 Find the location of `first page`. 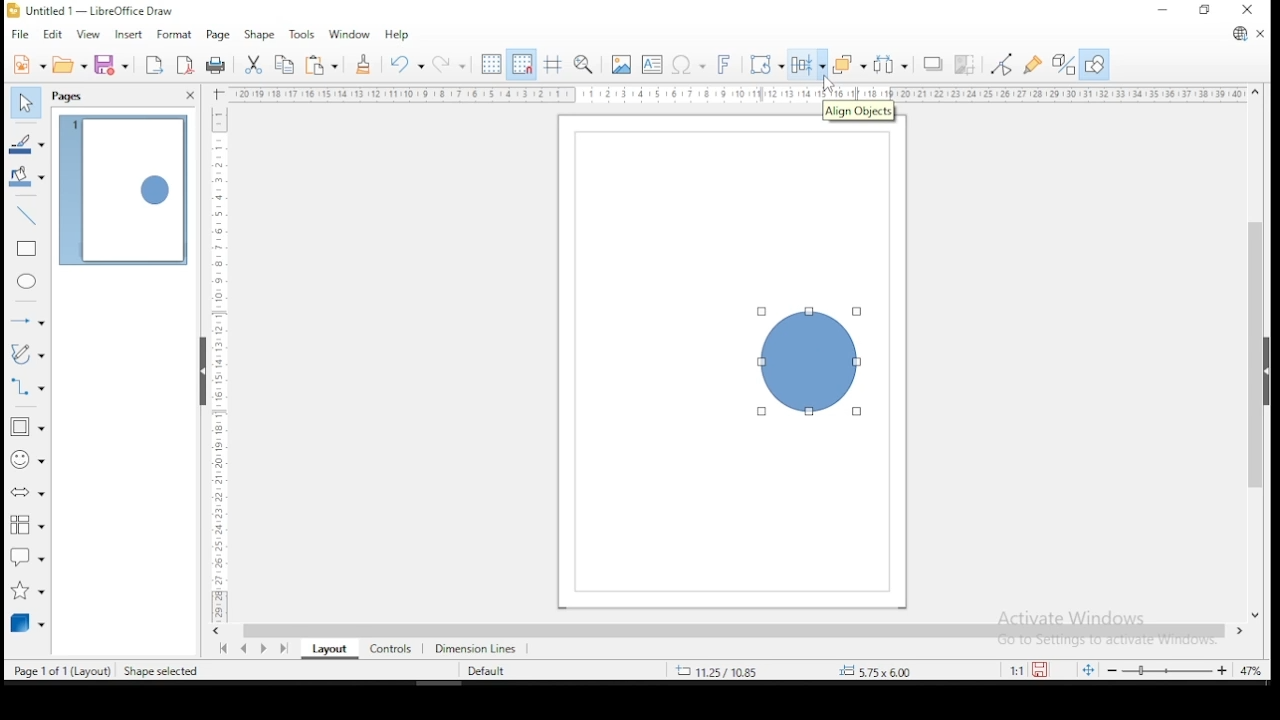

first page is located at coordinates (221, 649).